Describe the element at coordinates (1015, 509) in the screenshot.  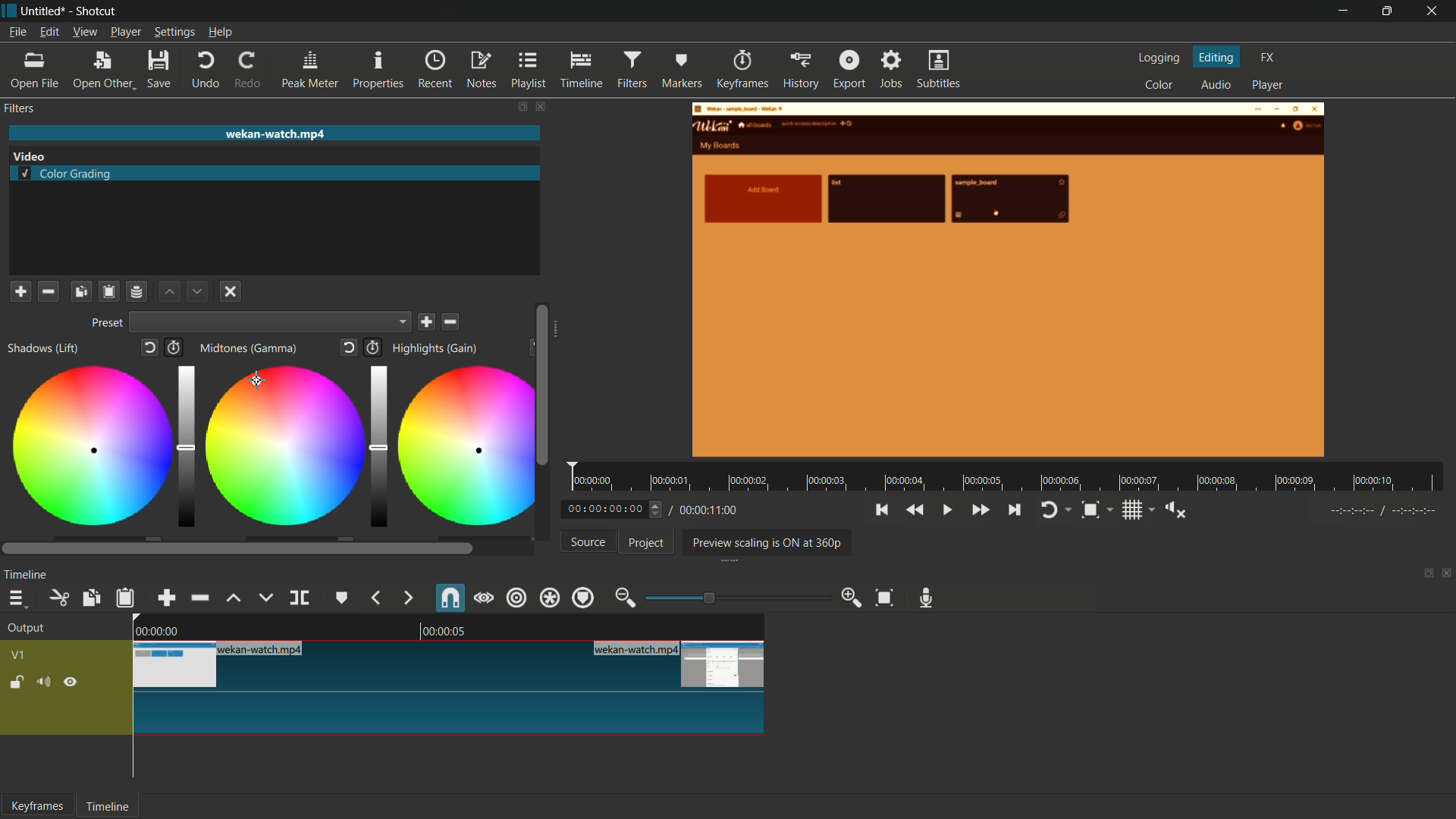
I see `skip to the next point` at that location.